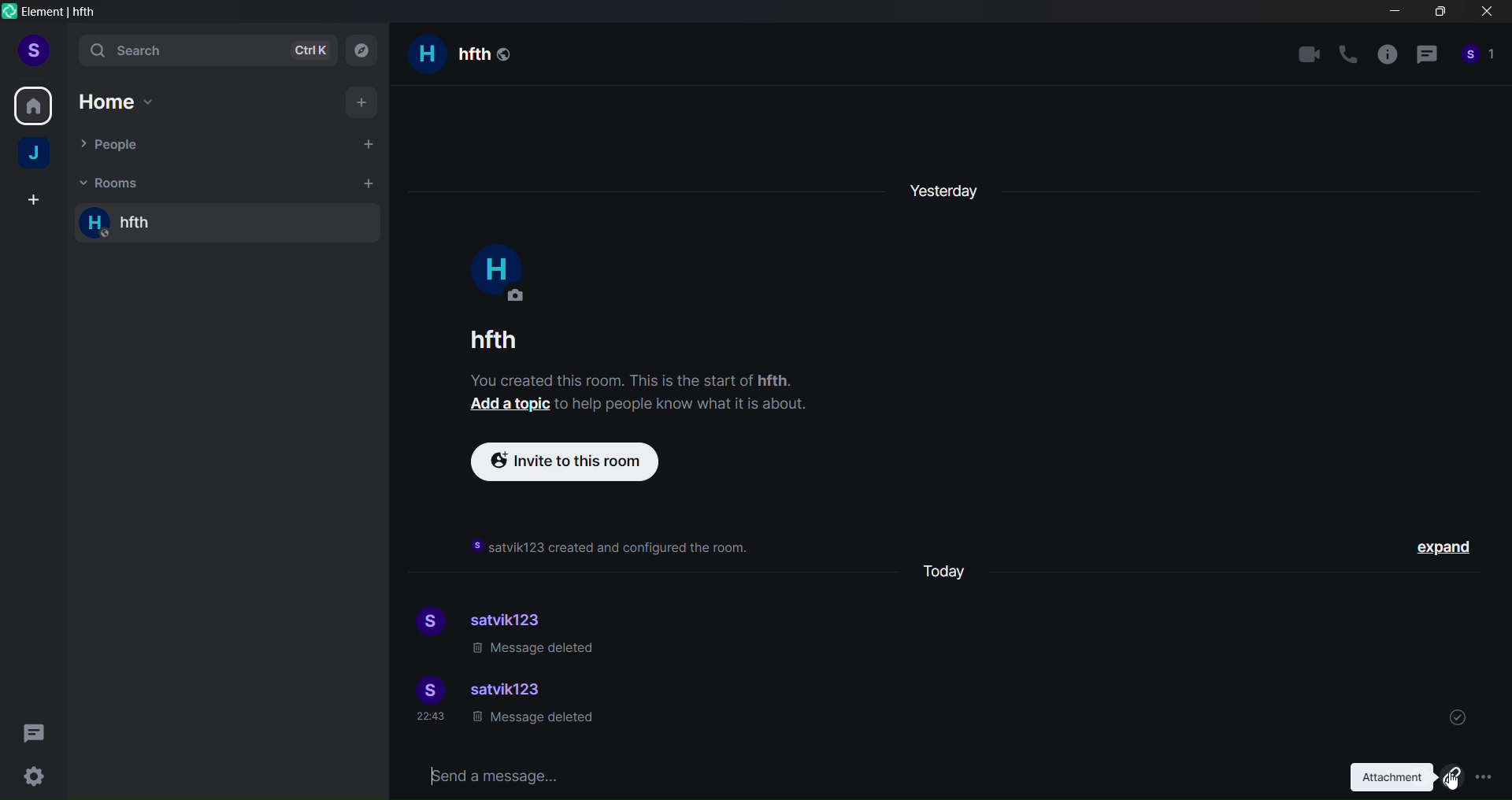 The height and width of the screenshot is (800, 1512). I want to click on sent, so click(1458, 715).